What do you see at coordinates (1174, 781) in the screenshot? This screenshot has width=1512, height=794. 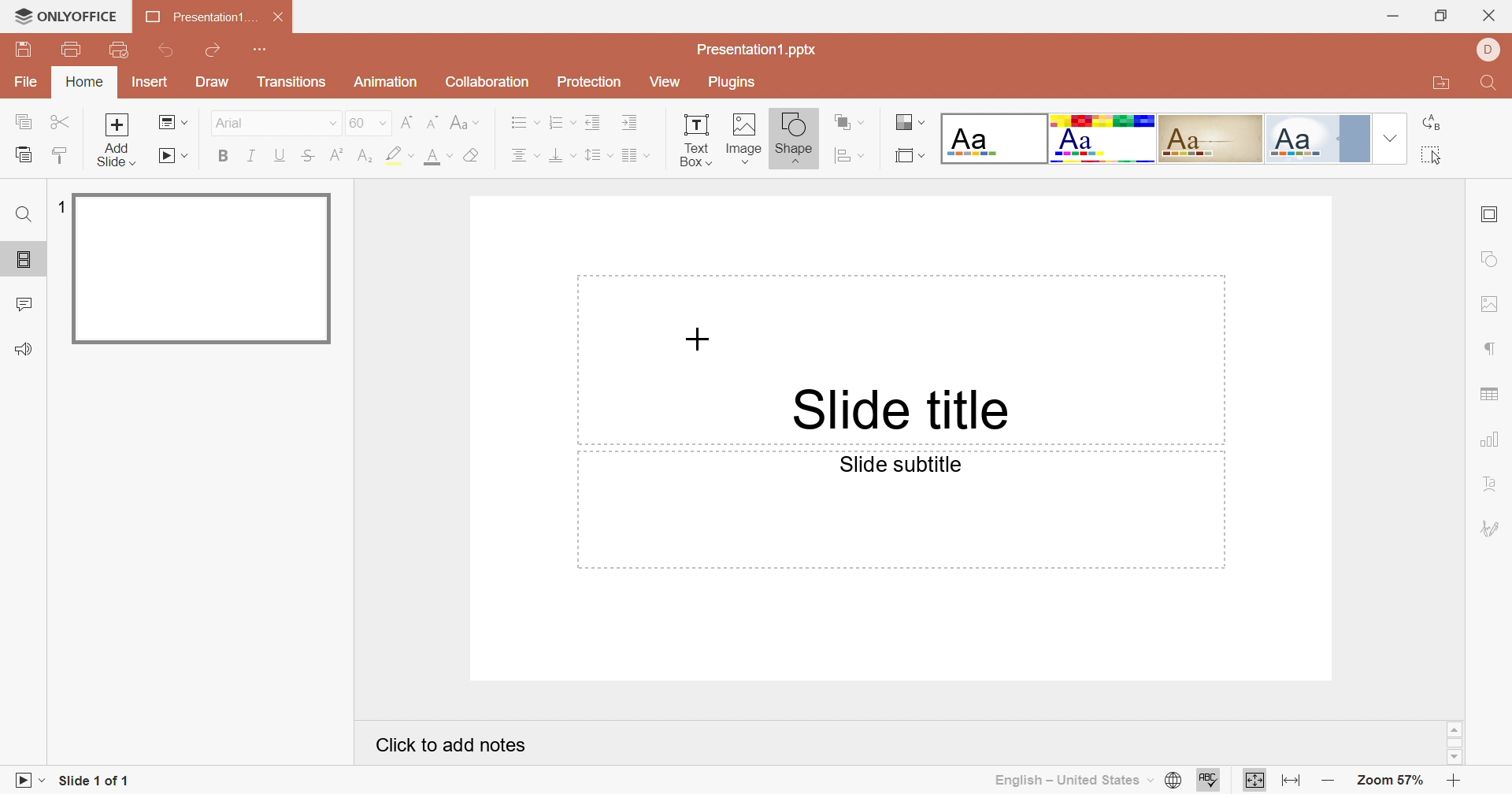 I see `Set document language` at bounding box center [1174, 781].